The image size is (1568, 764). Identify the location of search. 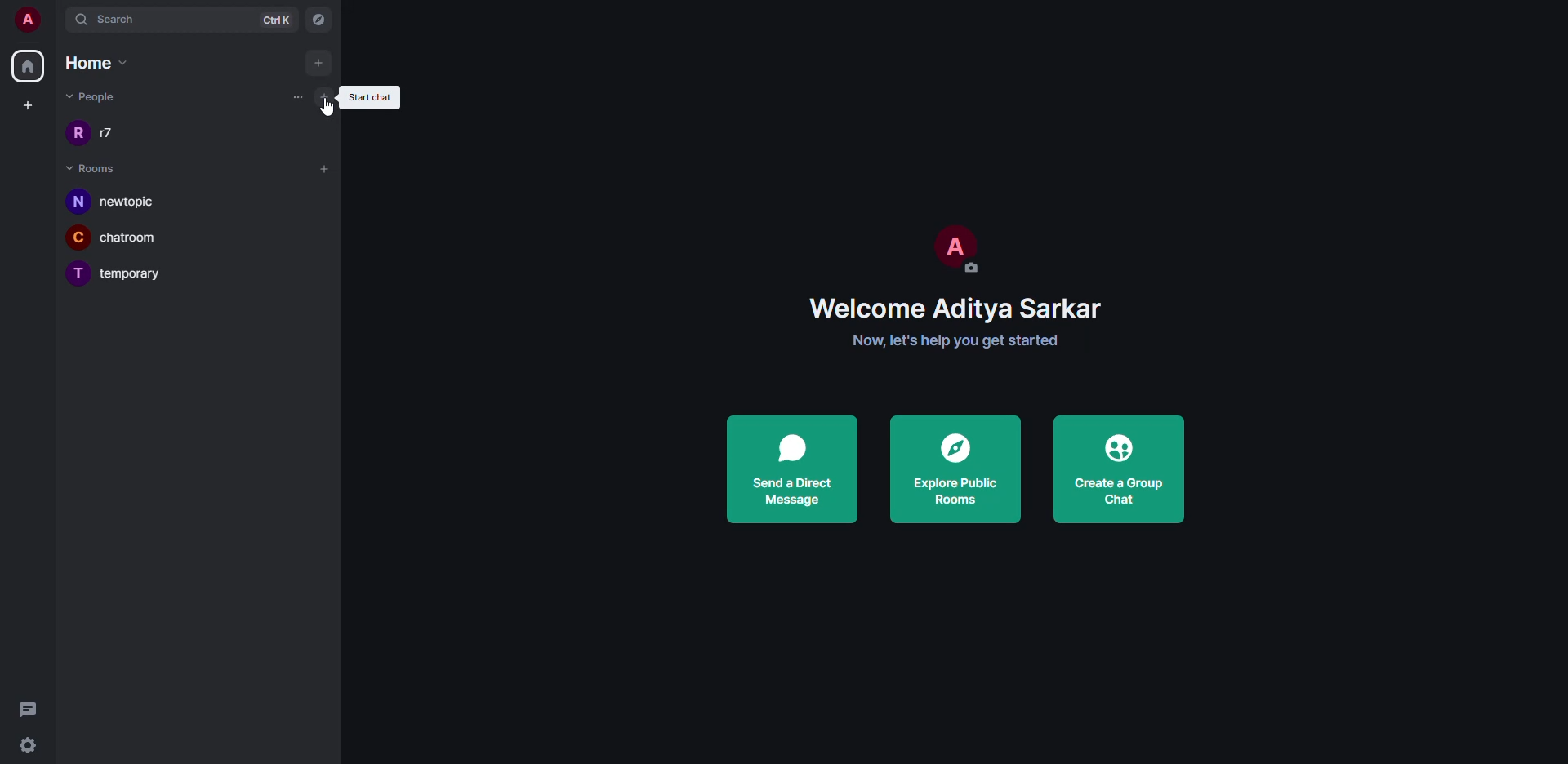
(114, 20).